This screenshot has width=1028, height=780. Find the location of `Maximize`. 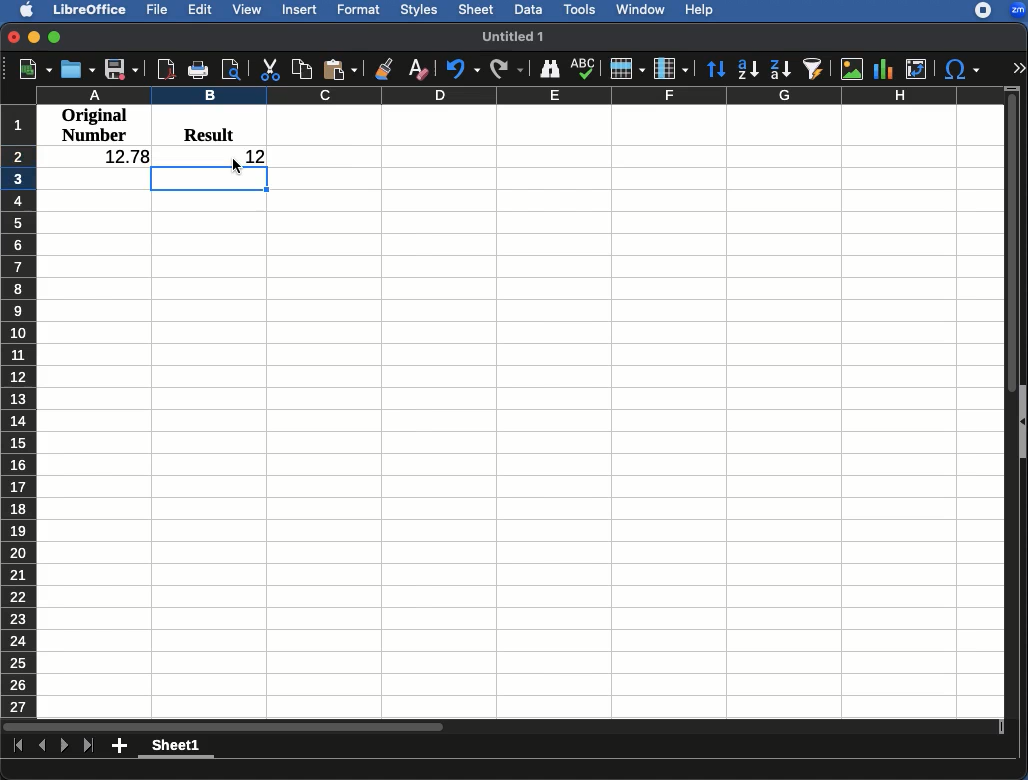

Maximize is located at coordinates (56, 39).